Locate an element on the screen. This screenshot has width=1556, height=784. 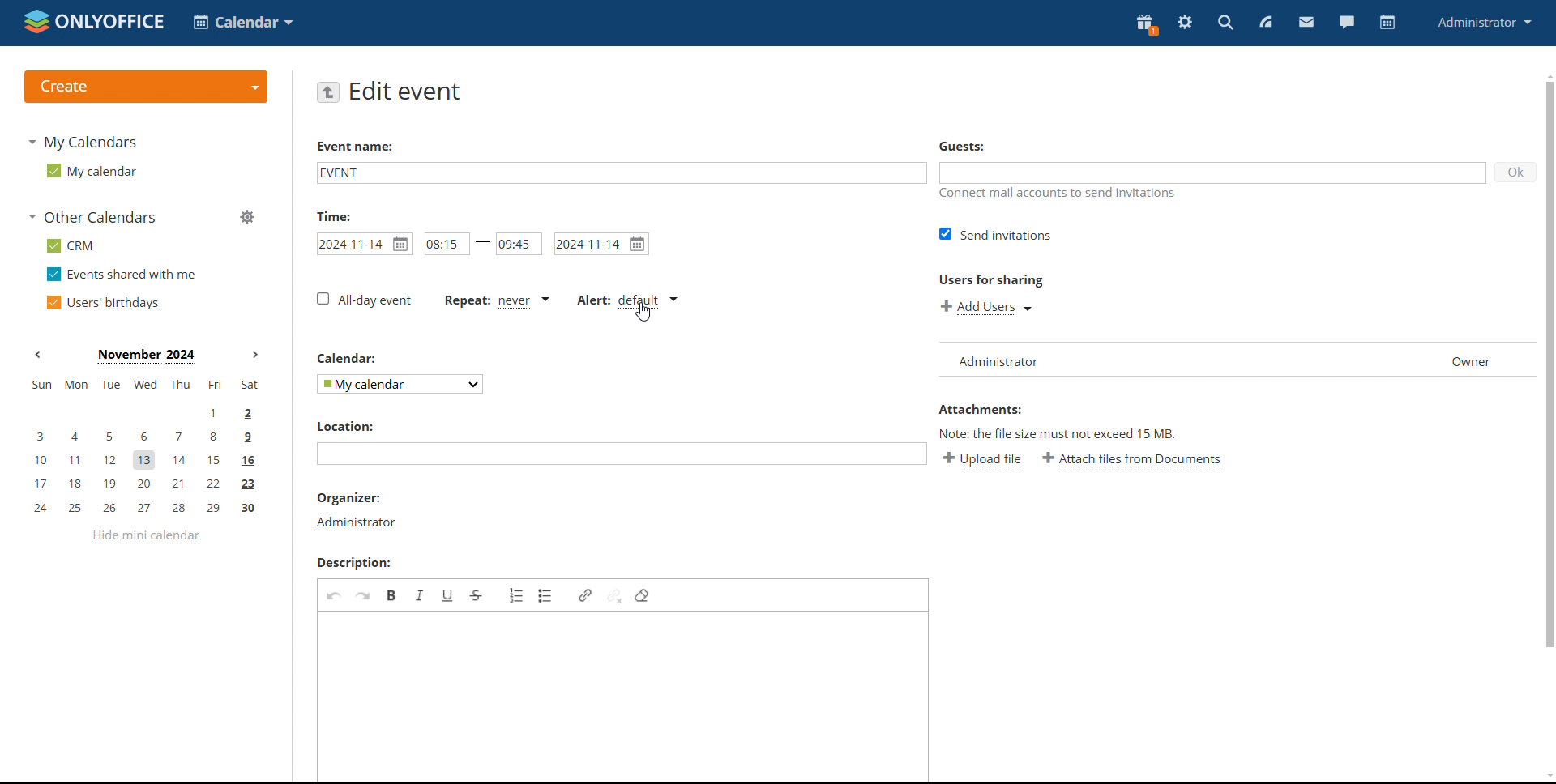
select calendar is located at coordinates (398, 384).